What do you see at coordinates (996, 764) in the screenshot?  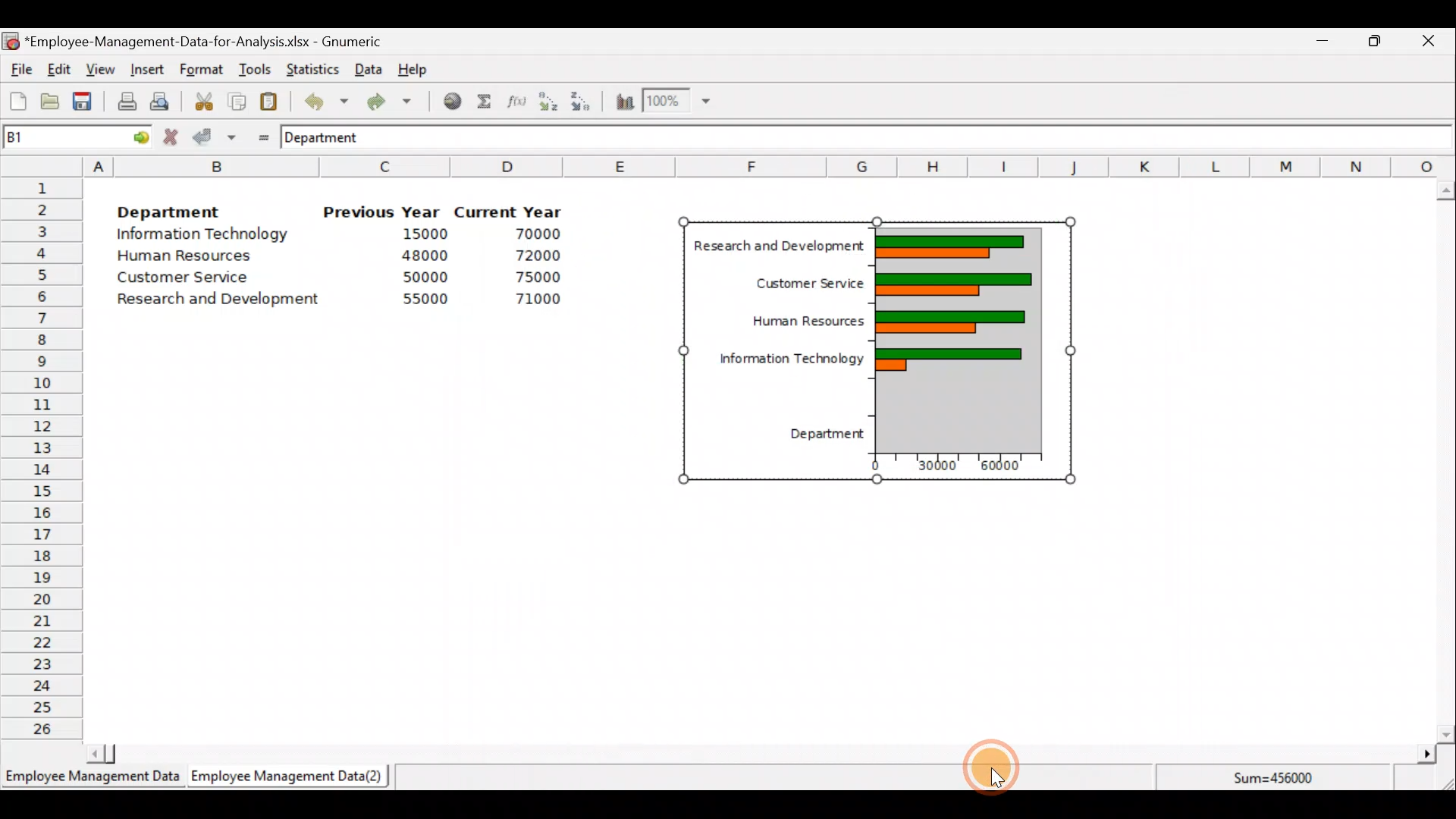 I see `Cursor` at bounding box center [996, 764].